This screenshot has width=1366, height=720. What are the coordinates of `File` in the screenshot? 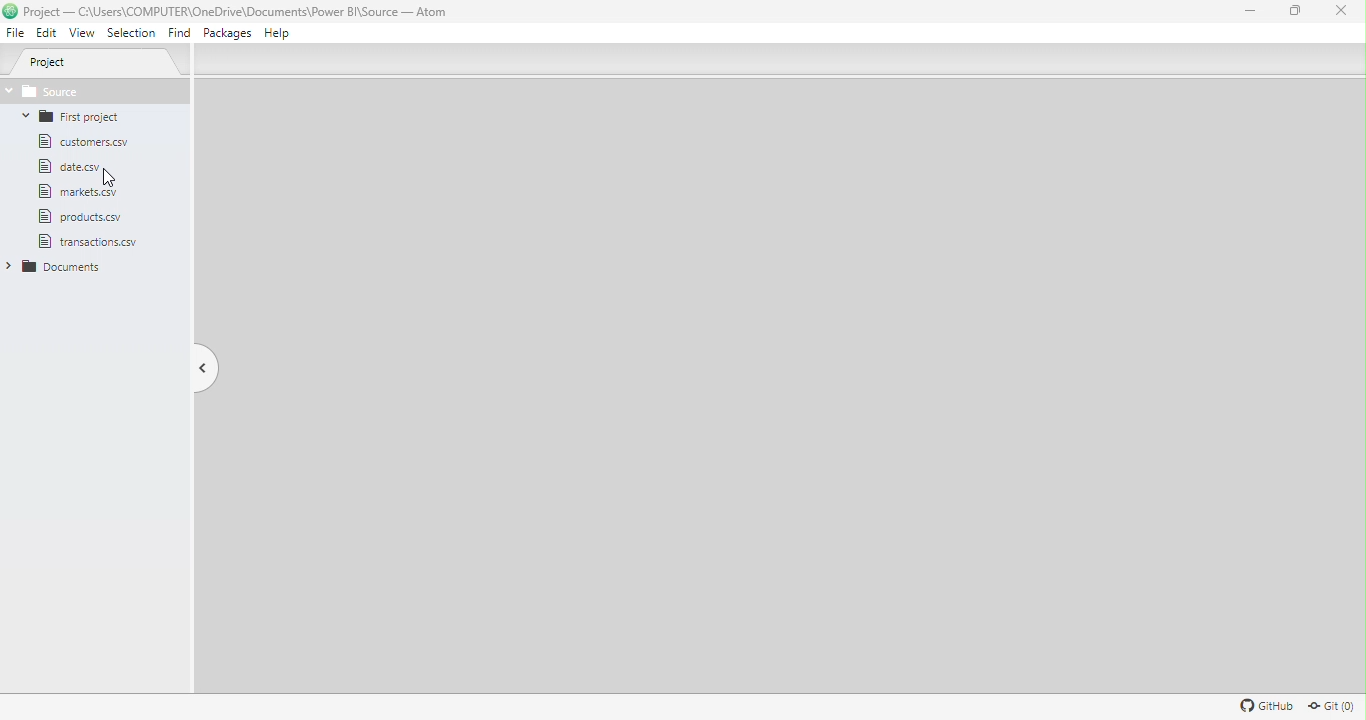 It's located at (79, 192).